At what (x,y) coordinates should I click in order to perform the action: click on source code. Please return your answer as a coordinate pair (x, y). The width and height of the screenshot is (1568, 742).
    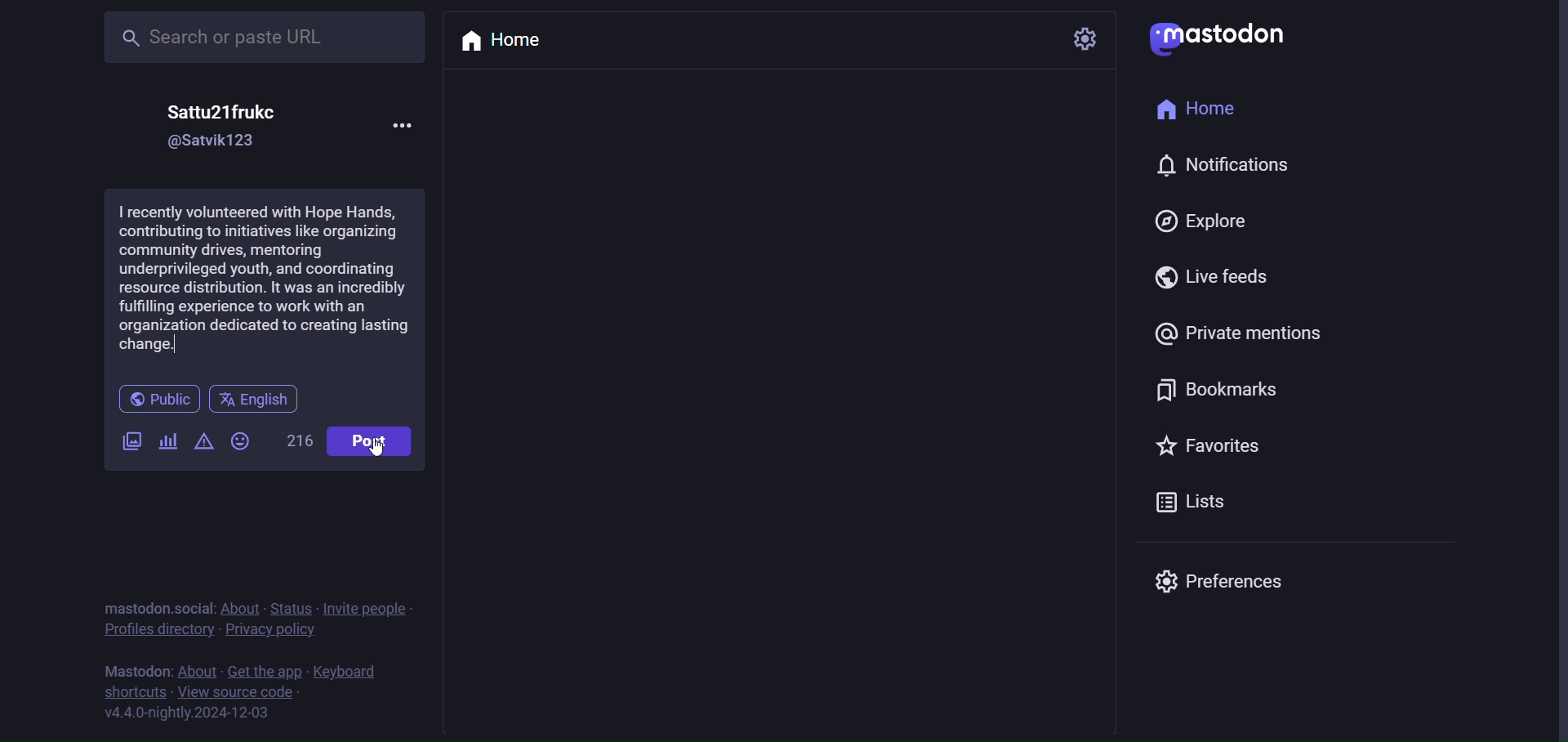
    Looking at the image, I should click on (239, 693).